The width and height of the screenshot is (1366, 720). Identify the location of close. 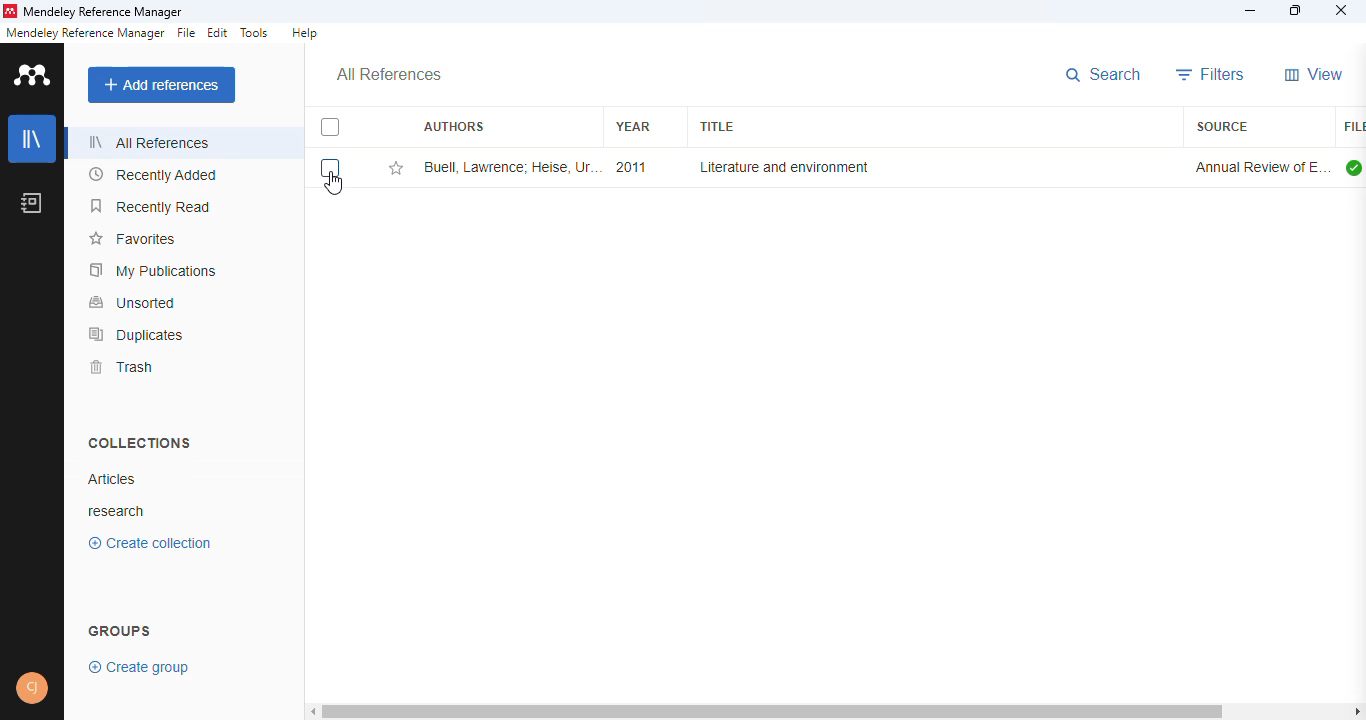
(1342, 10).